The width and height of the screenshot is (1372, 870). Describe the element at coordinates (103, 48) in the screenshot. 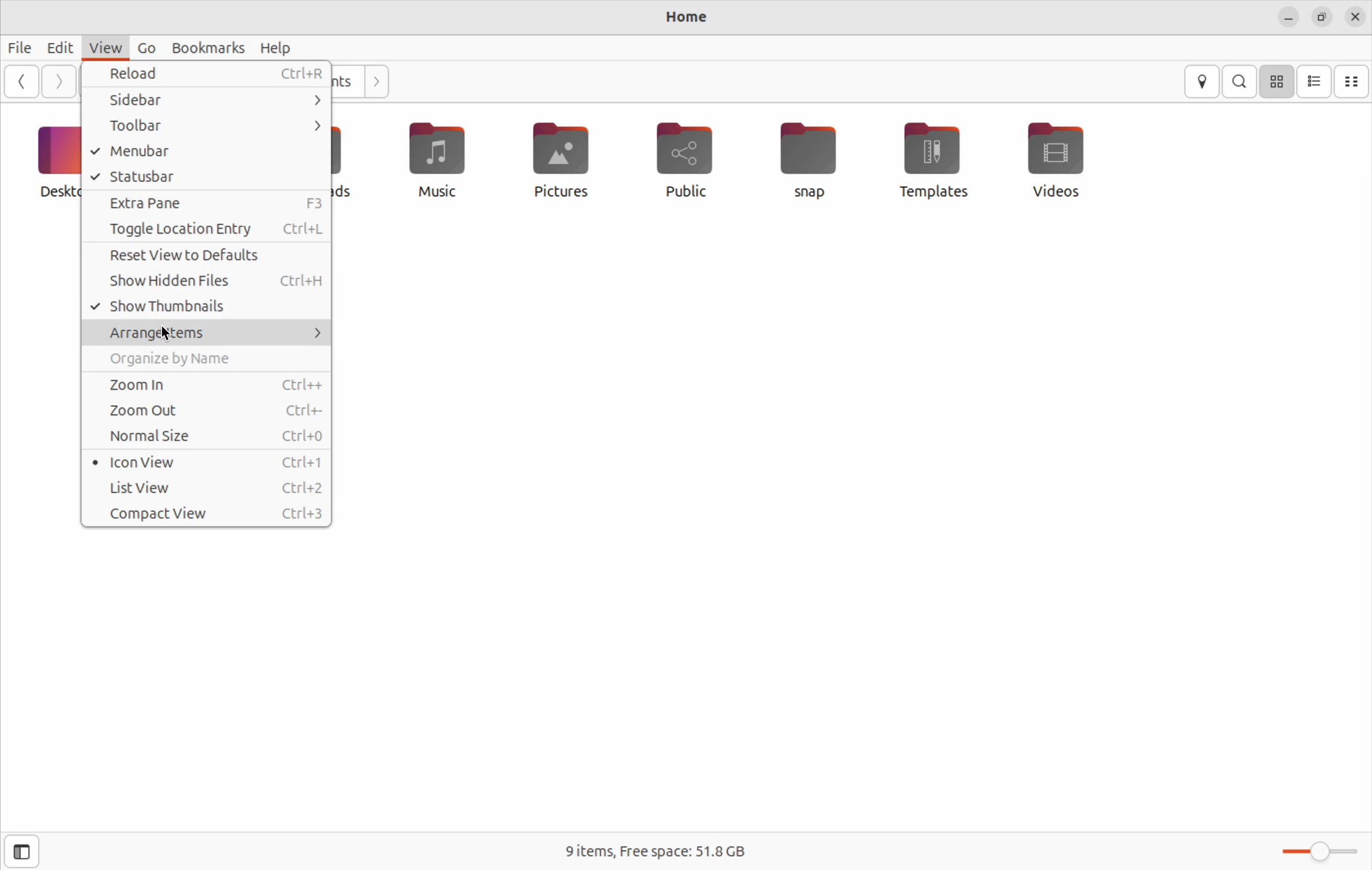

I see `view` at that location.